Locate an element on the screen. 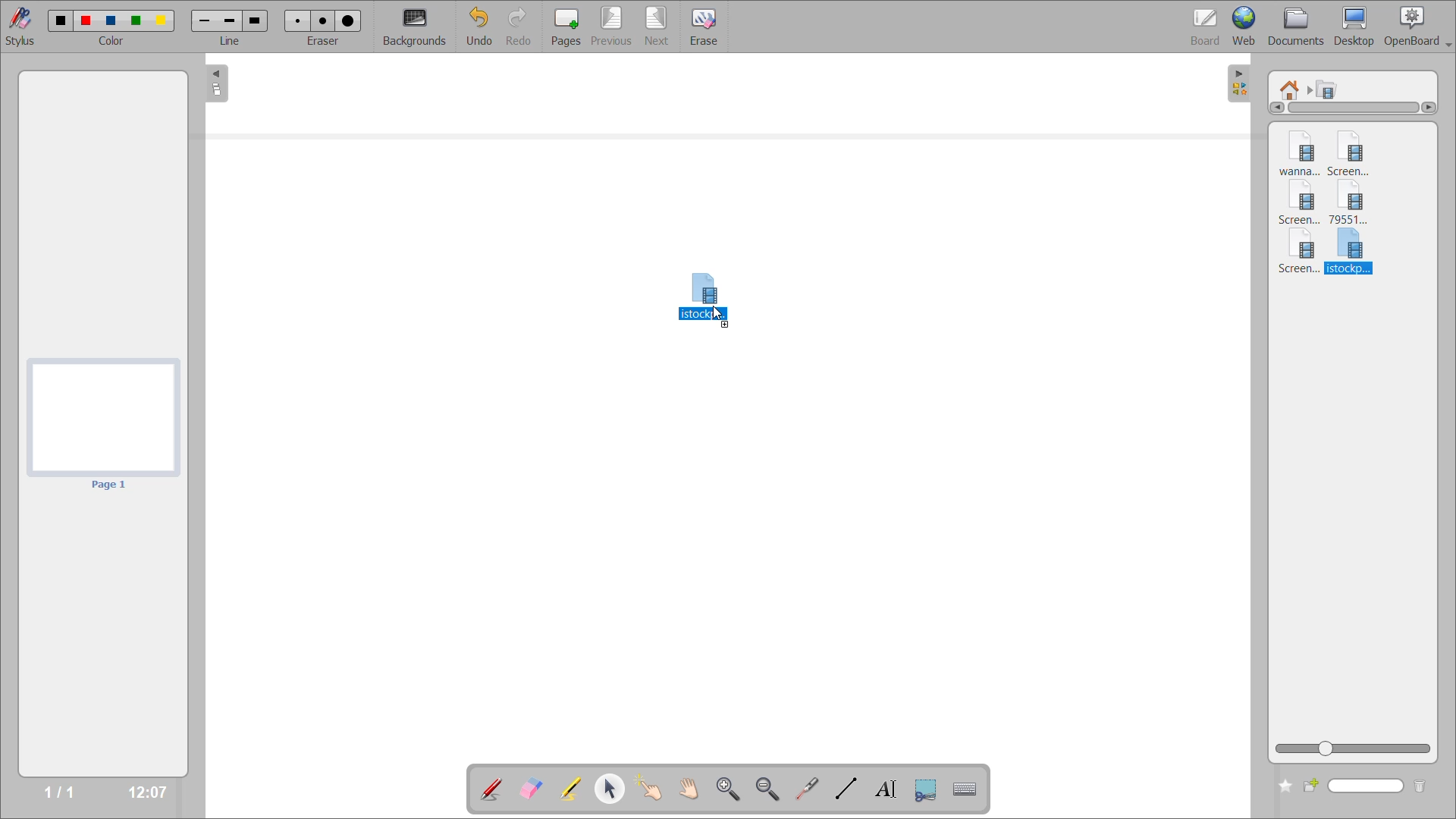 The height and width of the screenshot is (819, 1456). select and modify objects is located at coordinates (615, 789).